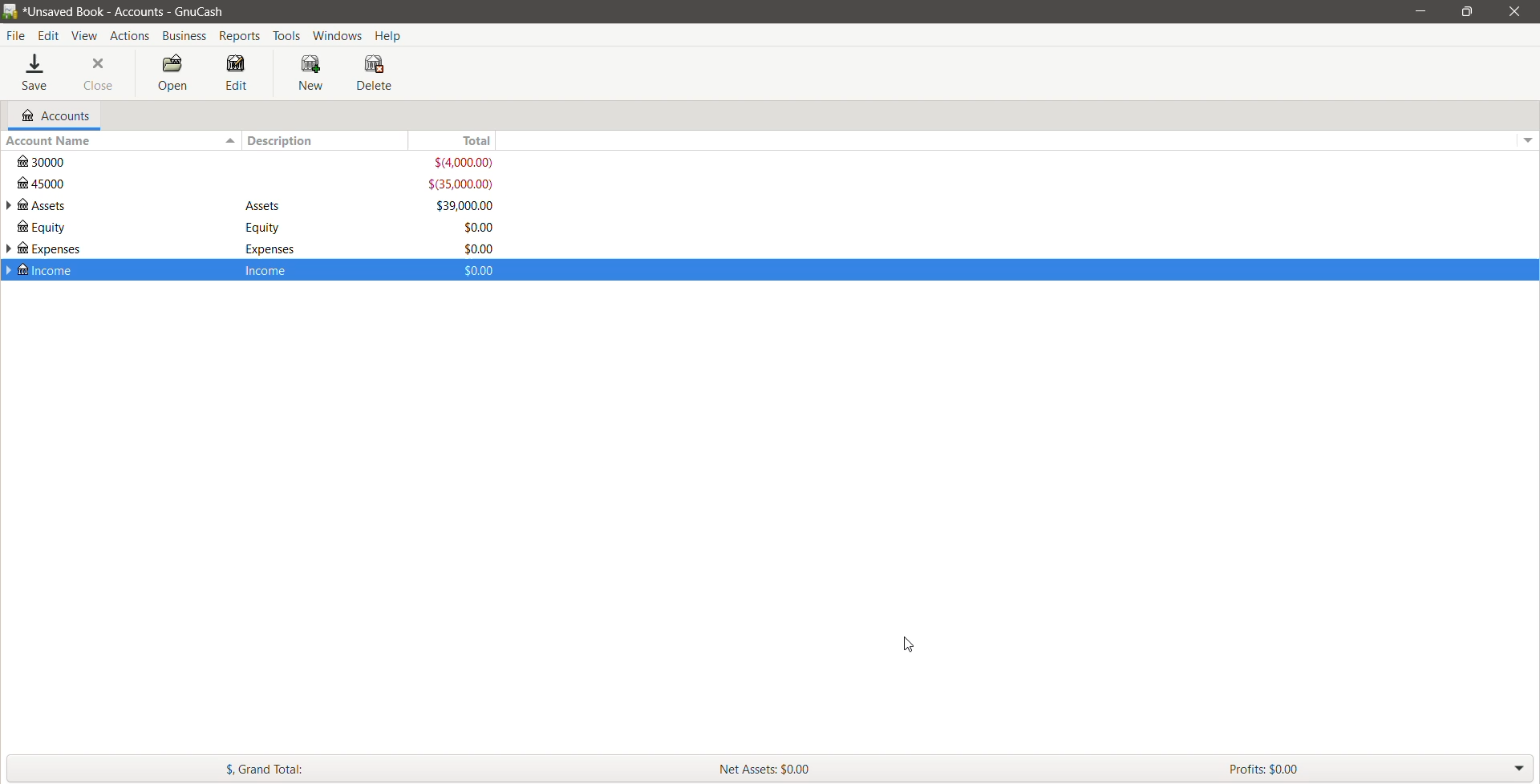 This screenshot has width=1540, height=784. I want to click on Accounts, so click(54, 115).